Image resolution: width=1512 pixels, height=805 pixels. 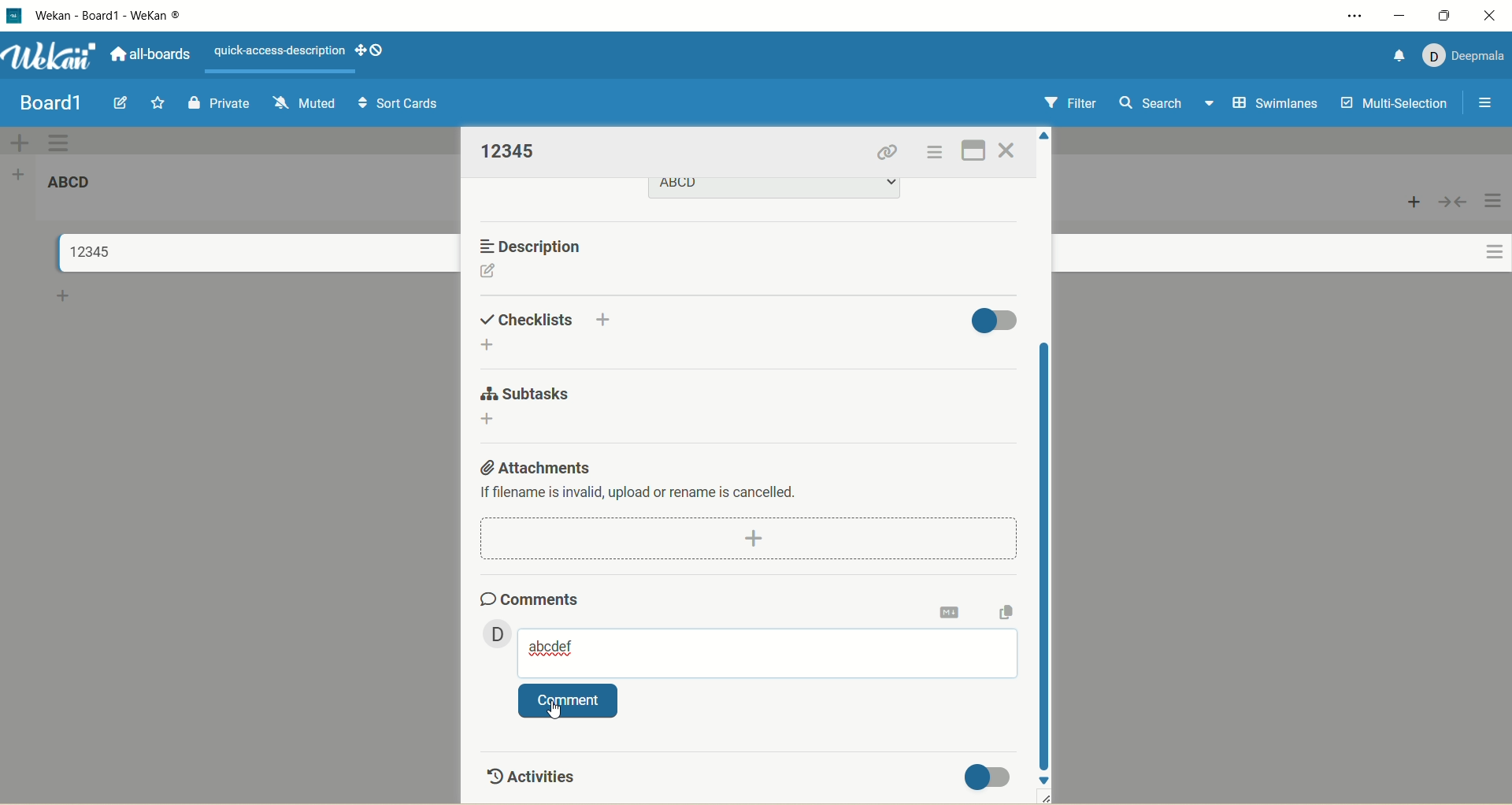 I want to click on logo, so click(x=13, y=17).